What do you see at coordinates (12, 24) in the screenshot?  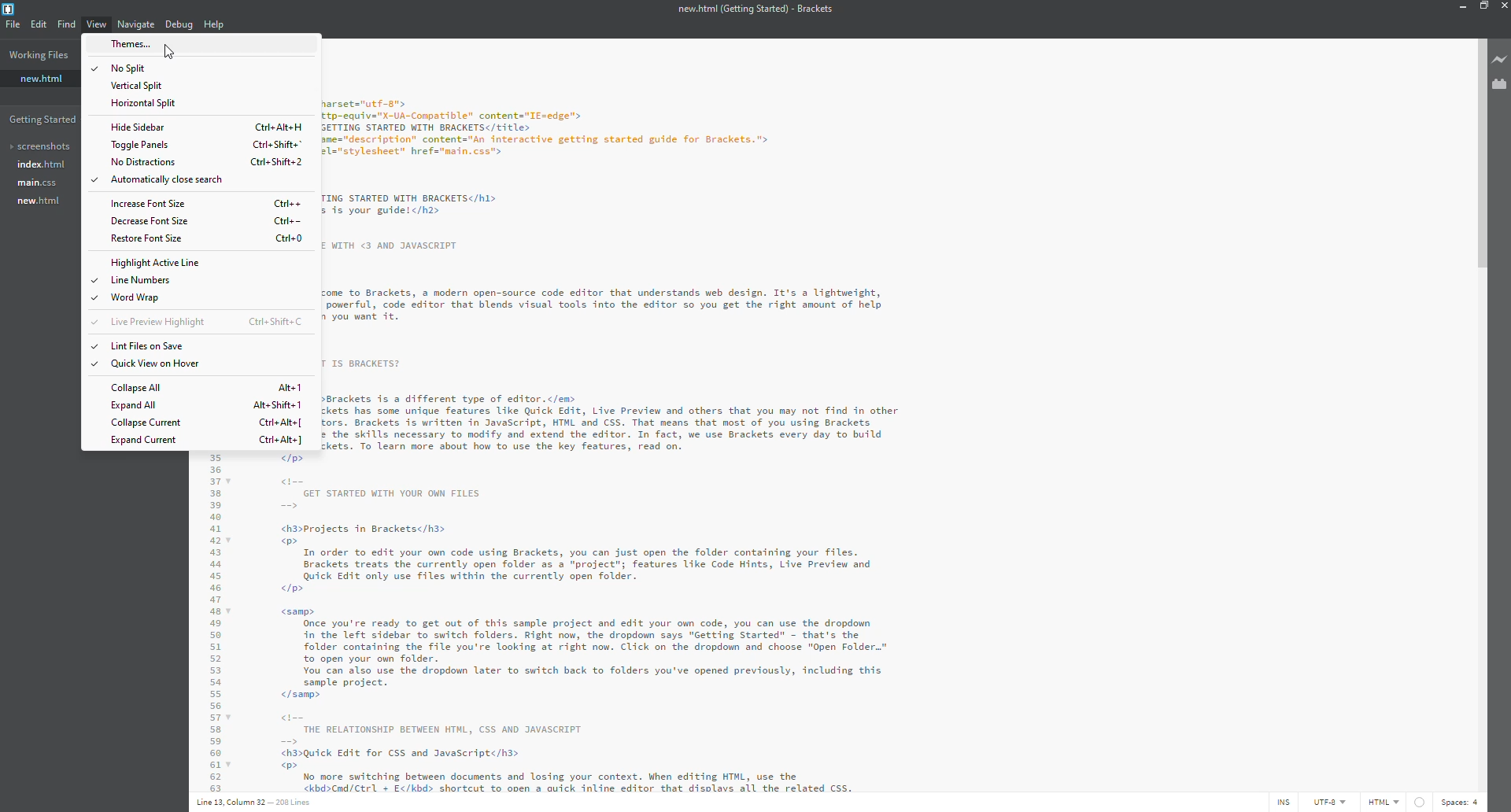 I see `file` at bounding box center [12, 24].